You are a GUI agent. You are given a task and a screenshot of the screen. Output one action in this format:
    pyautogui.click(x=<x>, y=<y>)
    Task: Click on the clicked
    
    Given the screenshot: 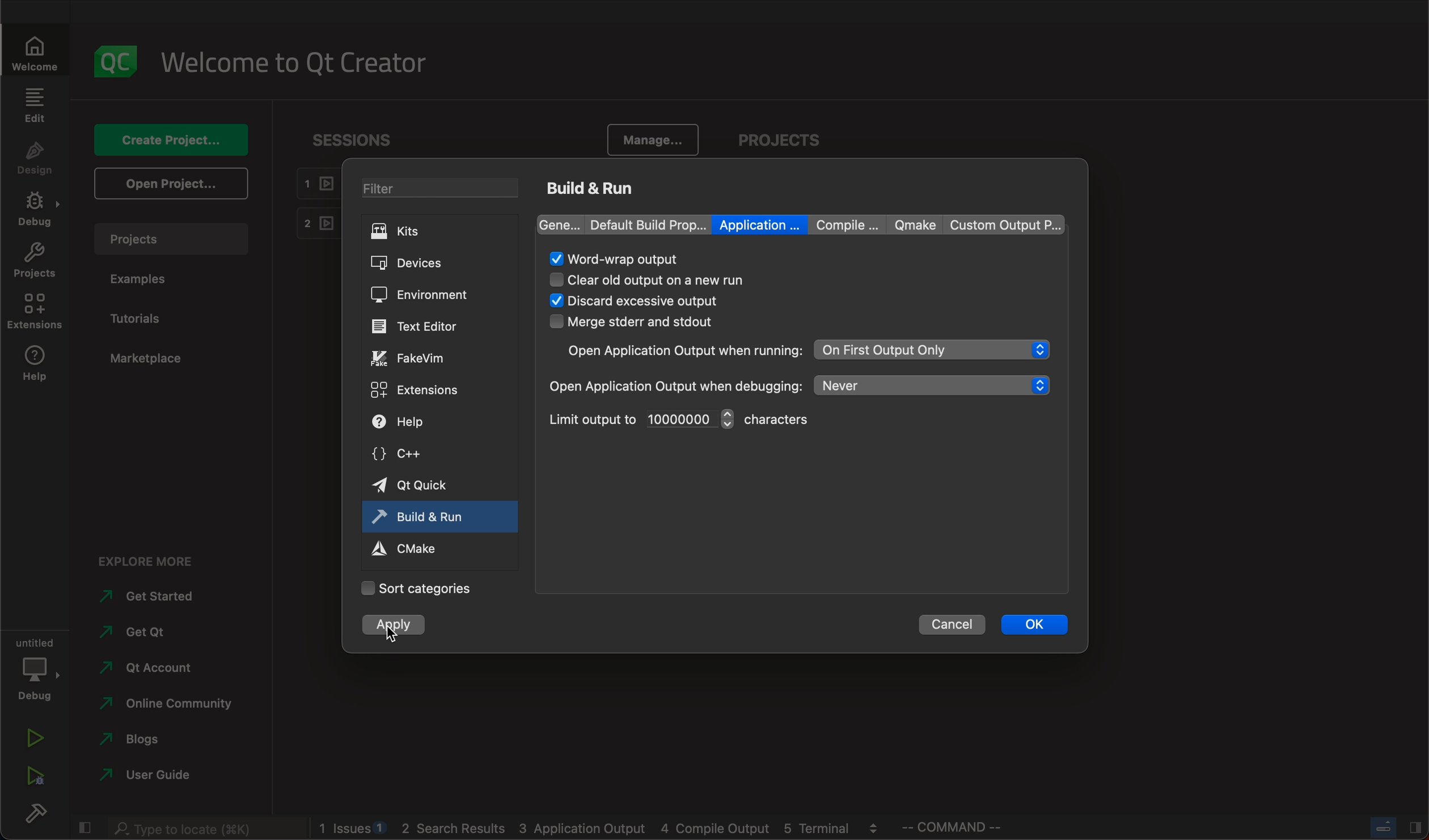 What is the action you would take?
    pyautogui.click(x=398, y=625)
    